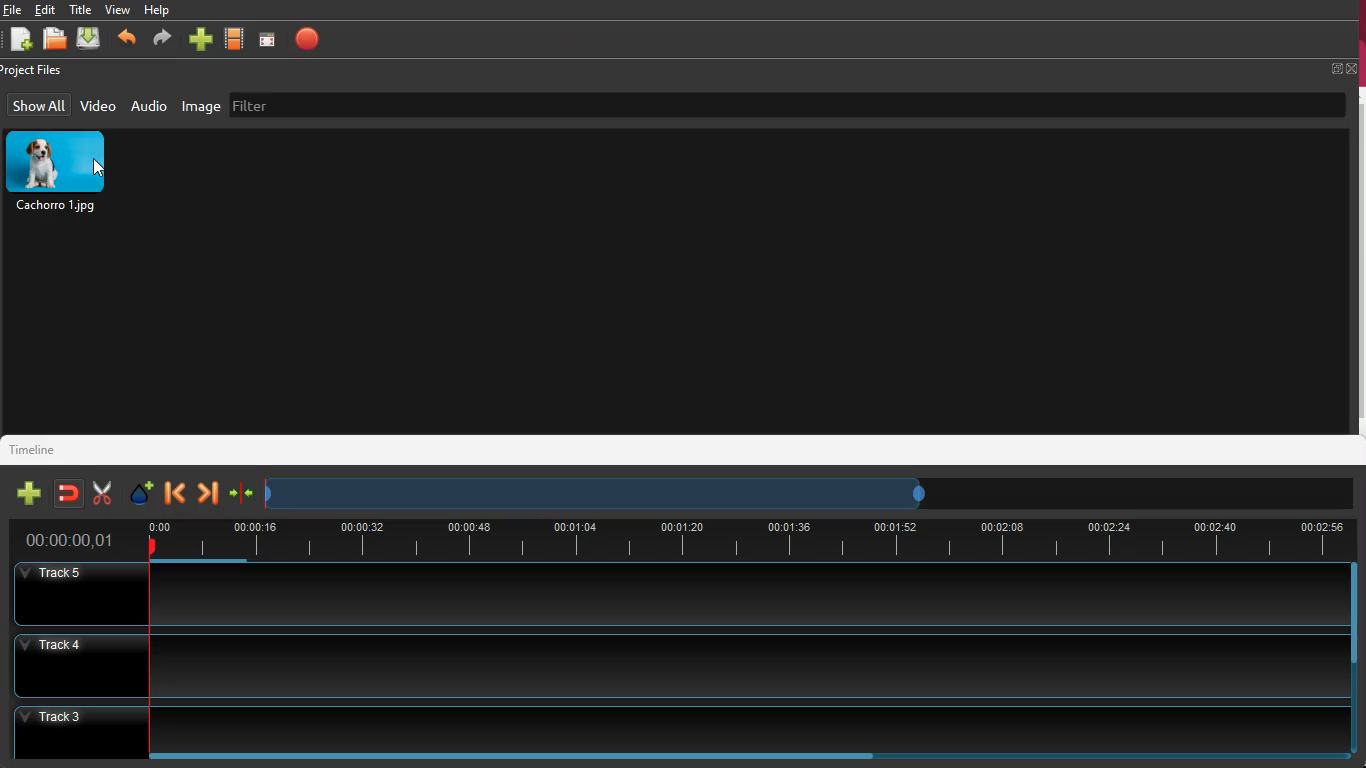  I want to click on scroll bar, so click(511, 756).